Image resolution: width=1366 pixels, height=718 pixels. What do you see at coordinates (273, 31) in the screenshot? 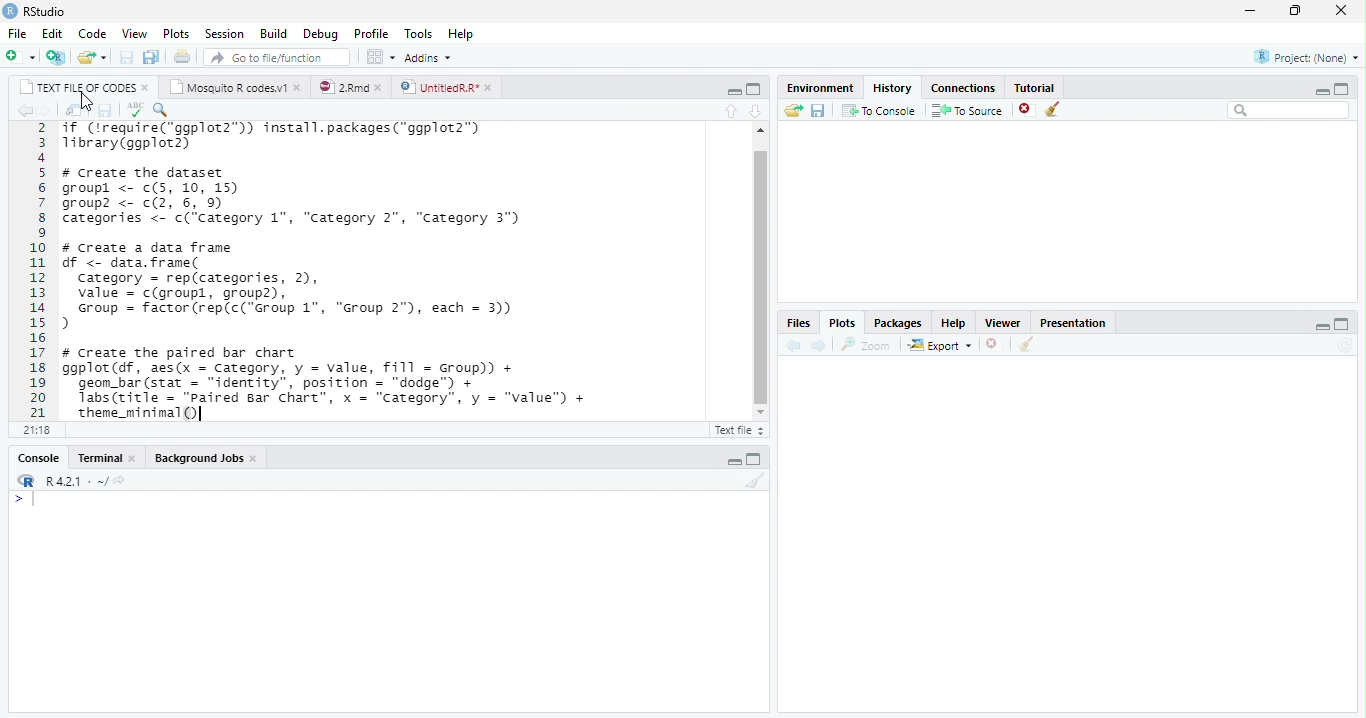
I see `build` at bounding box center [273, 31].